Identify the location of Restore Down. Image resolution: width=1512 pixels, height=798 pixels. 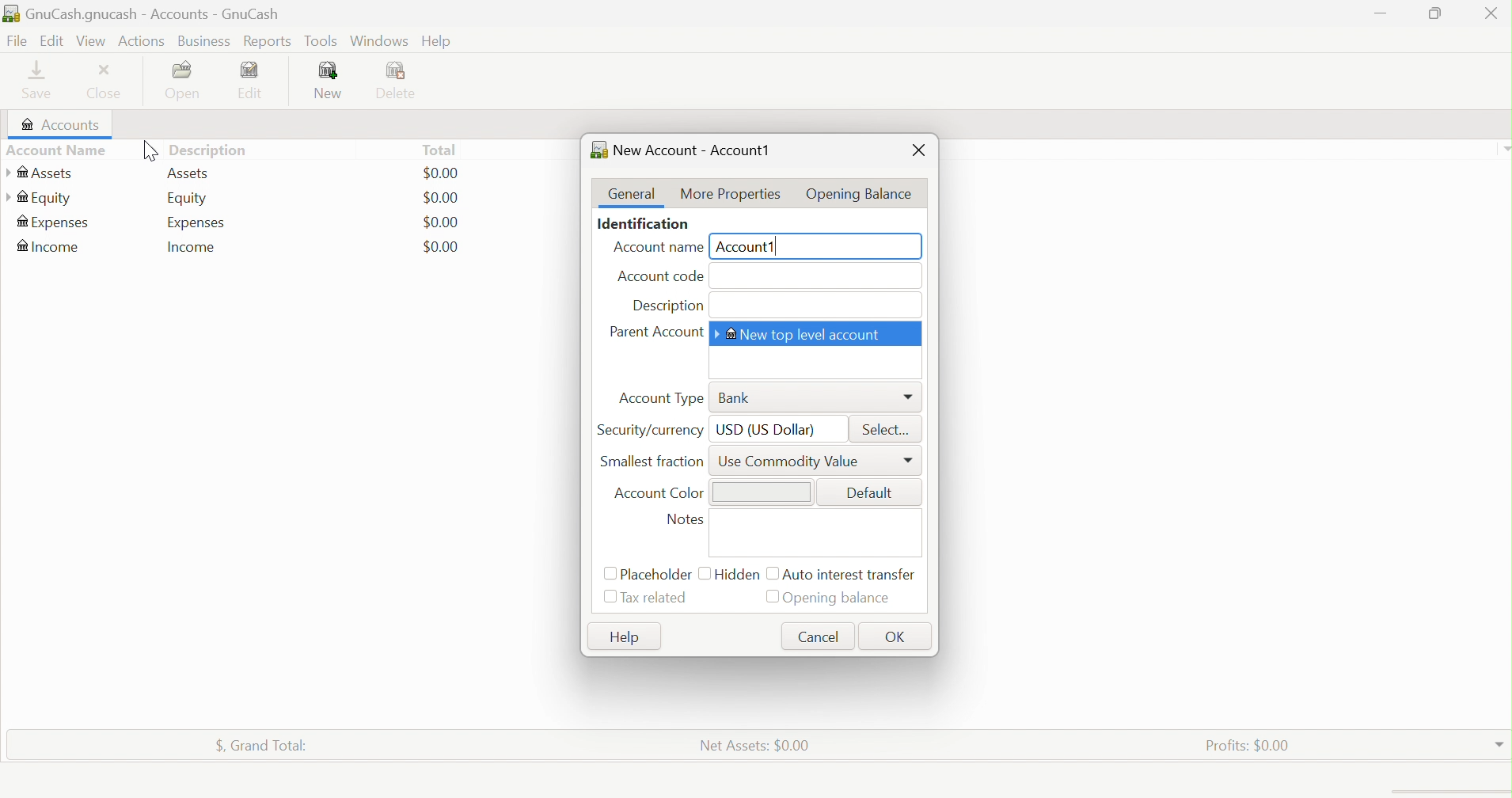
(1432, 13).